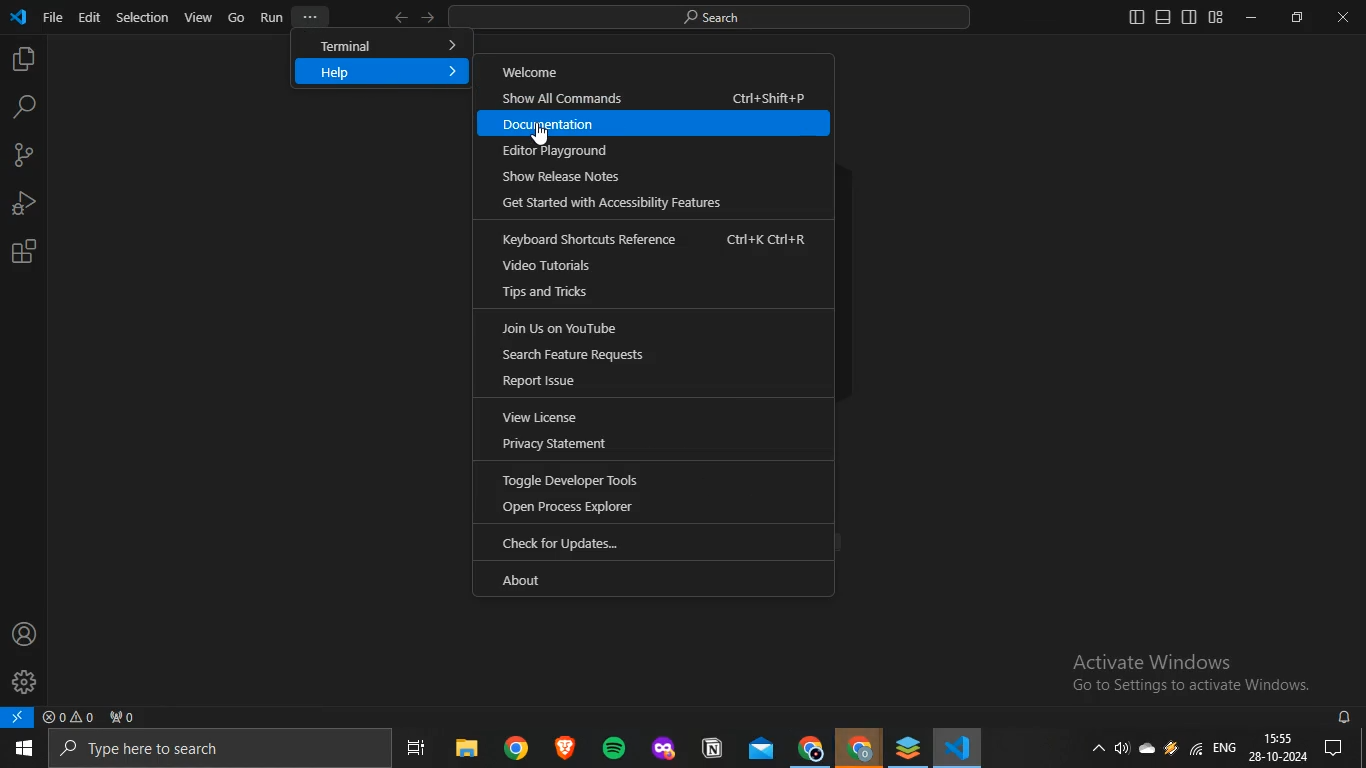  What do you see at coordinates (21, 61) in the screenshot?
I see `explorer` at bounding box center [21, 61].